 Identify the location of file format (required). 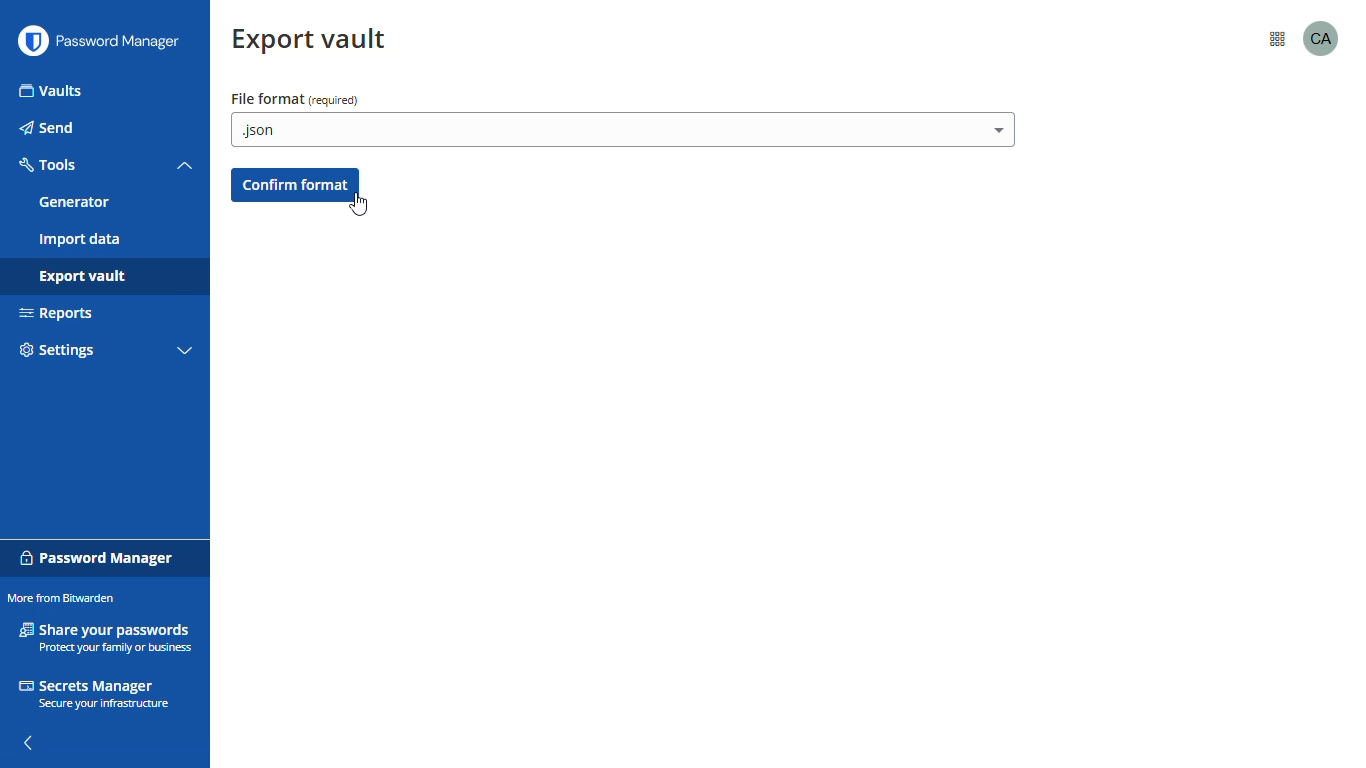
(294, 99).